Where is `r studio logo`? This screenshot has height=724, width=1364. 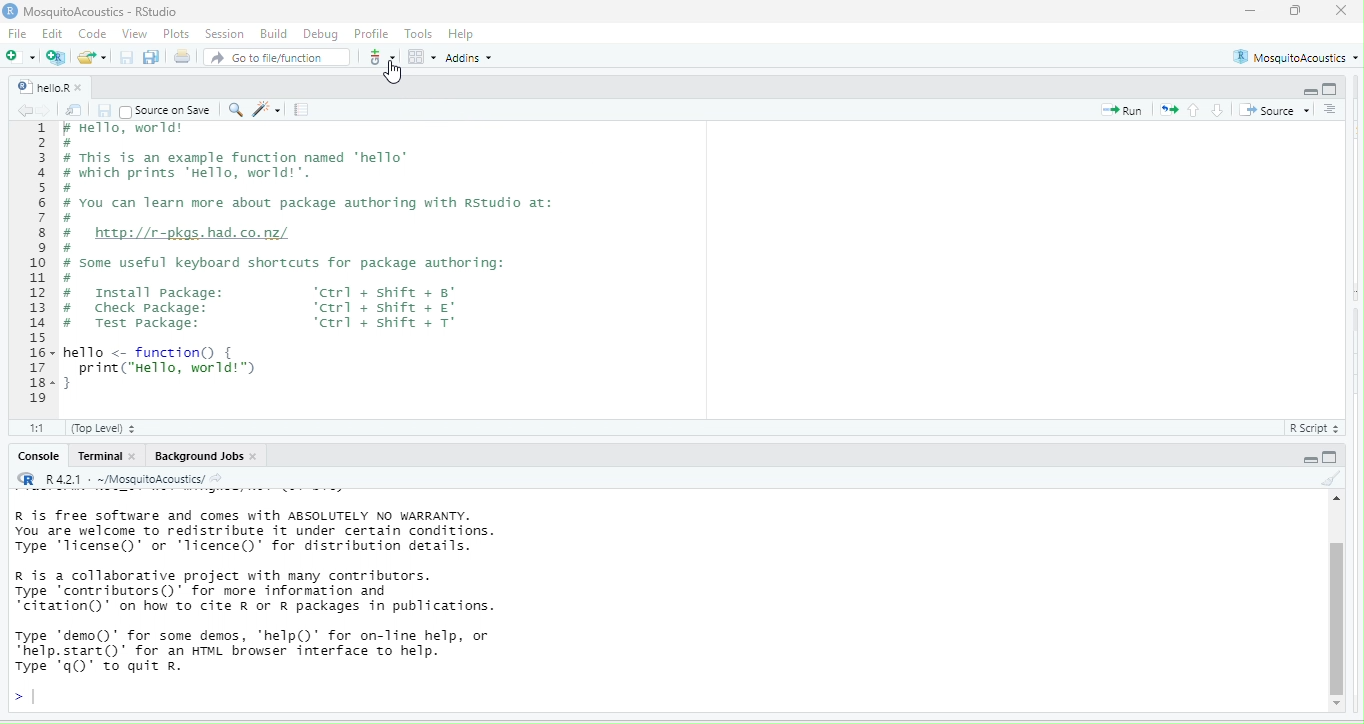 r studio logo is located at coordinates (11, 12).